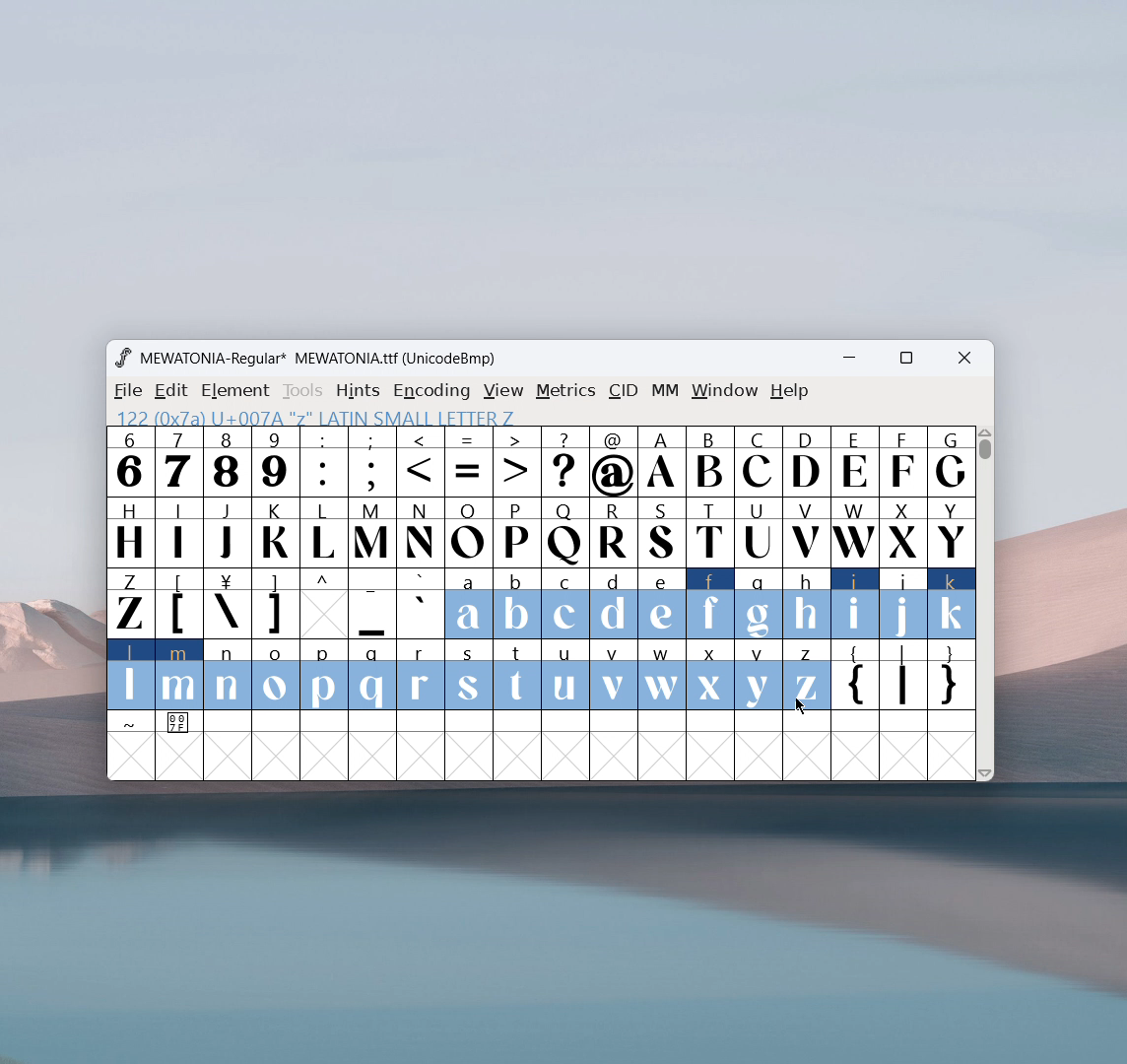  Describe the element at coordinates (623, 391) in the screenshot. I see `cid` at that location.